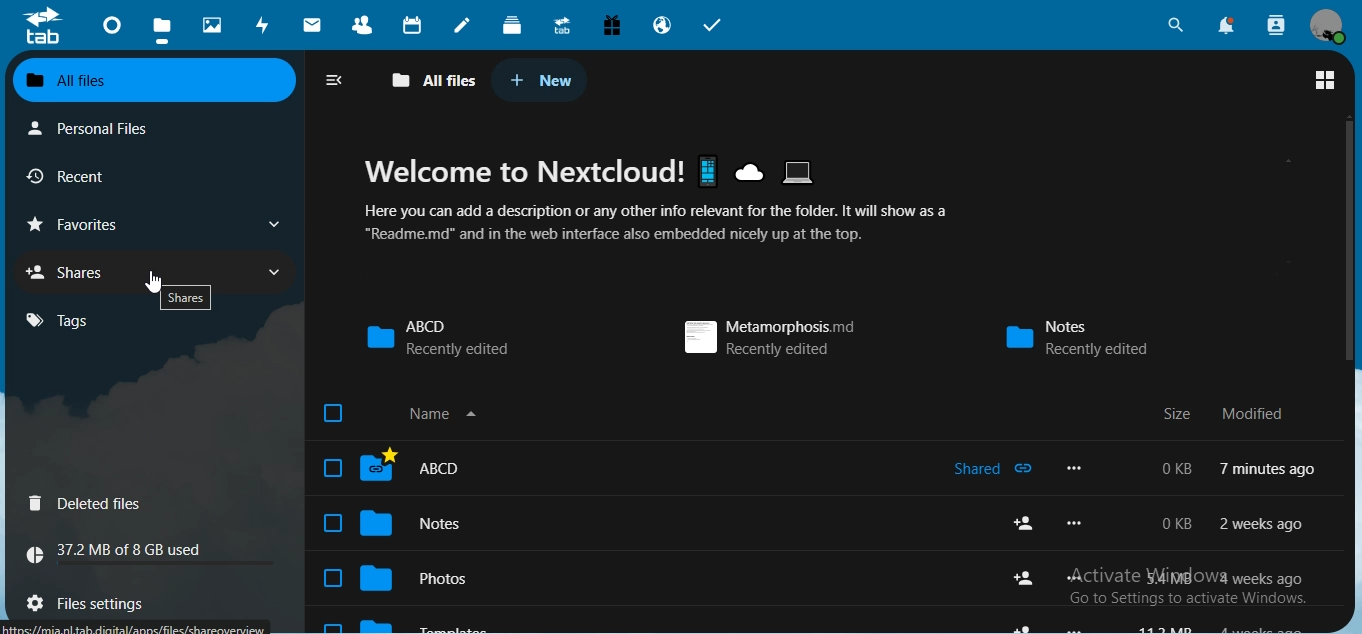 This screenshot has width=1362, height=634. I want to click on calendar, so click(414, 26).